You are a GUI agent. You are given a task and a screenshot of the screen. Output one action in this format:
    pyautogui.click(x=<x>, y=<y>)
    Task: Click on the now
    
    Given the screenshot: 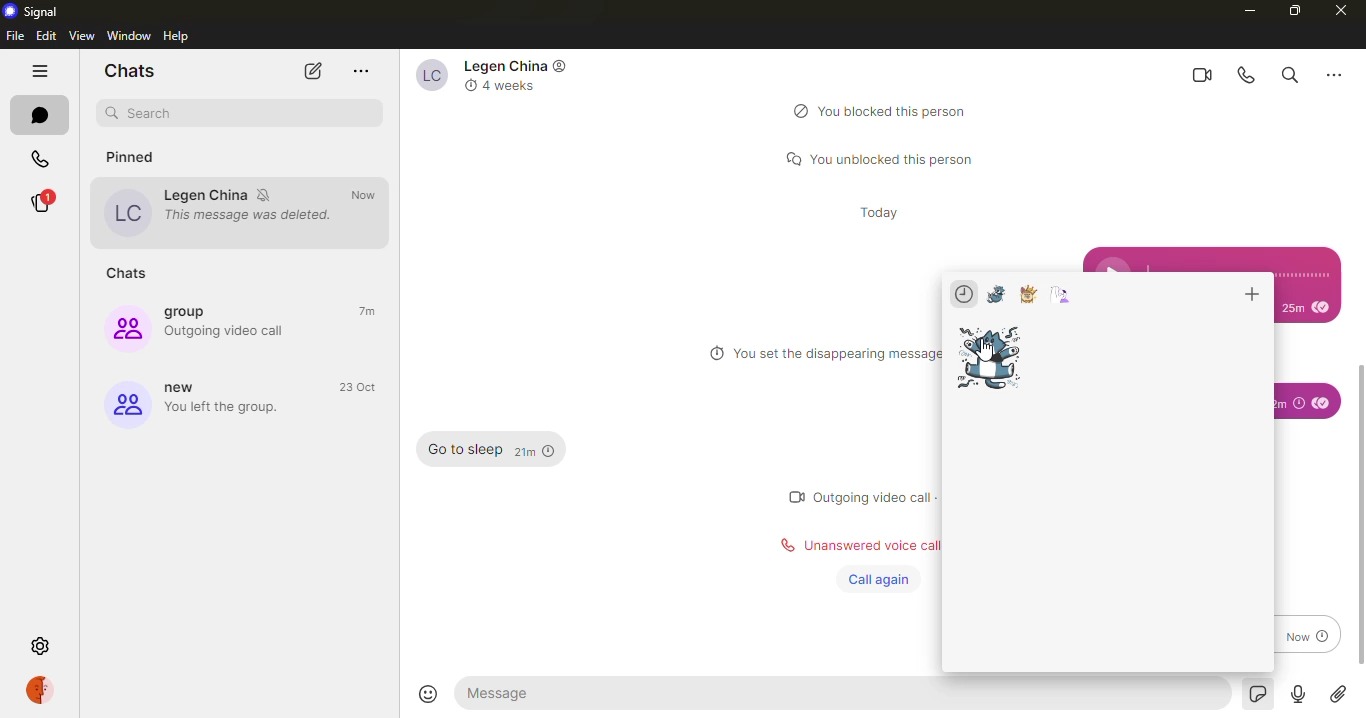 What is the action you would take?
    pyautogui.click(x=1306, y=634)
    